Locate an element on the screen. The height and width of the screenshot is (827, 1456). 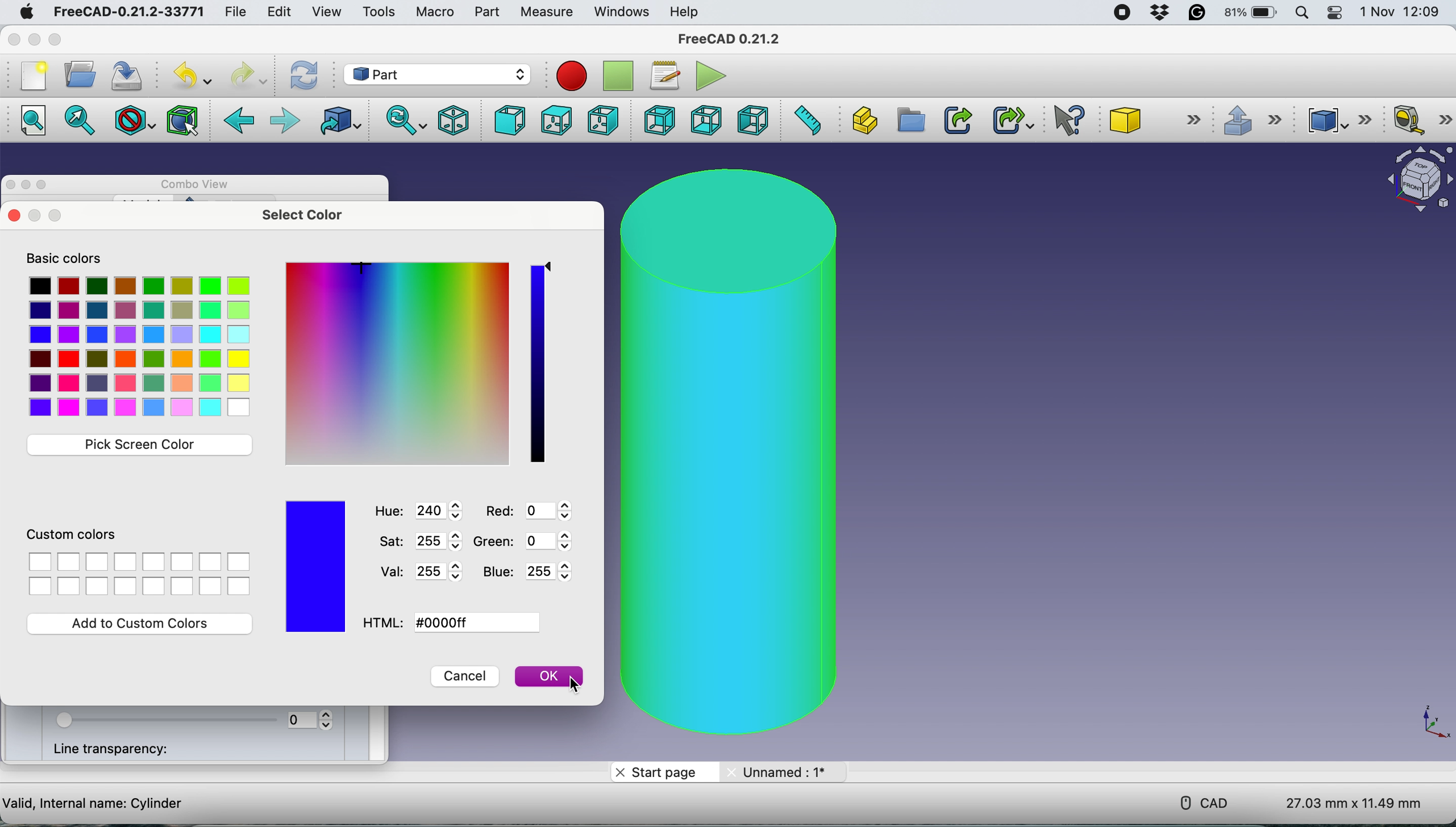
open is located at coordinates (78, 76).